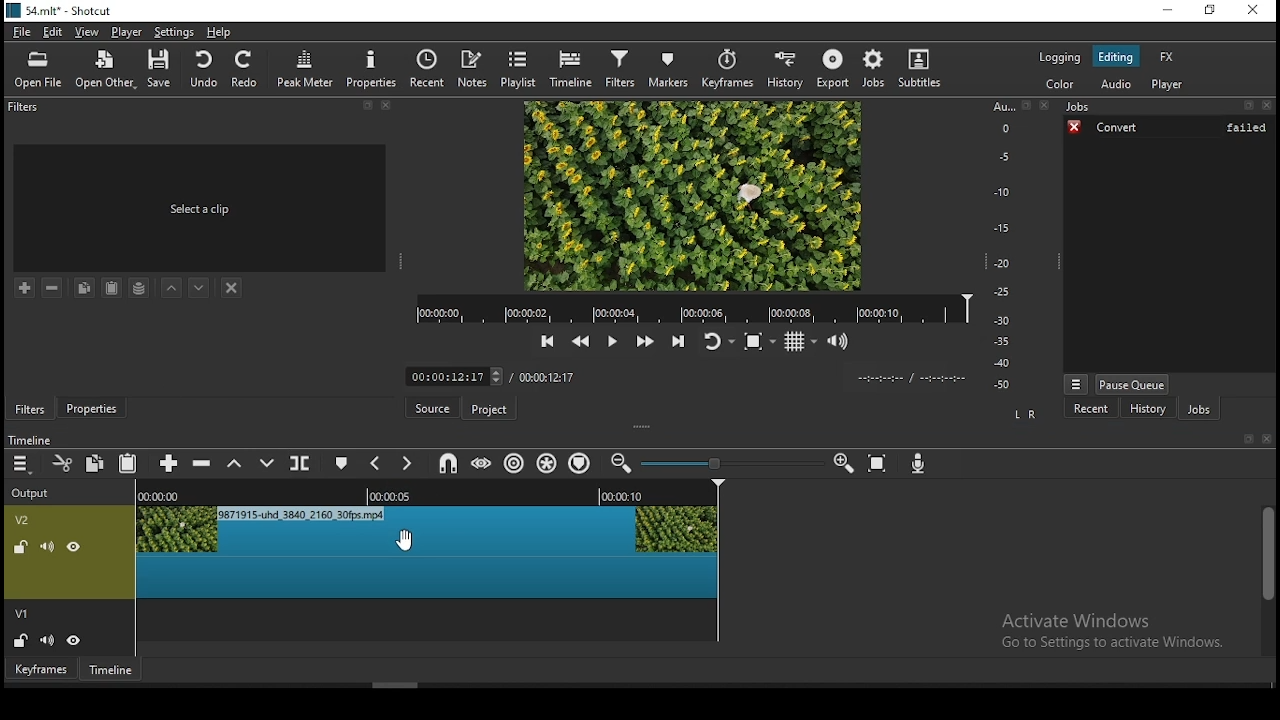 The width and height of the screenshot is (1280, 720). What do you see at coordinates (515, 463) in the screenshot?
I see `ripple` at bounding box center [515, 463].